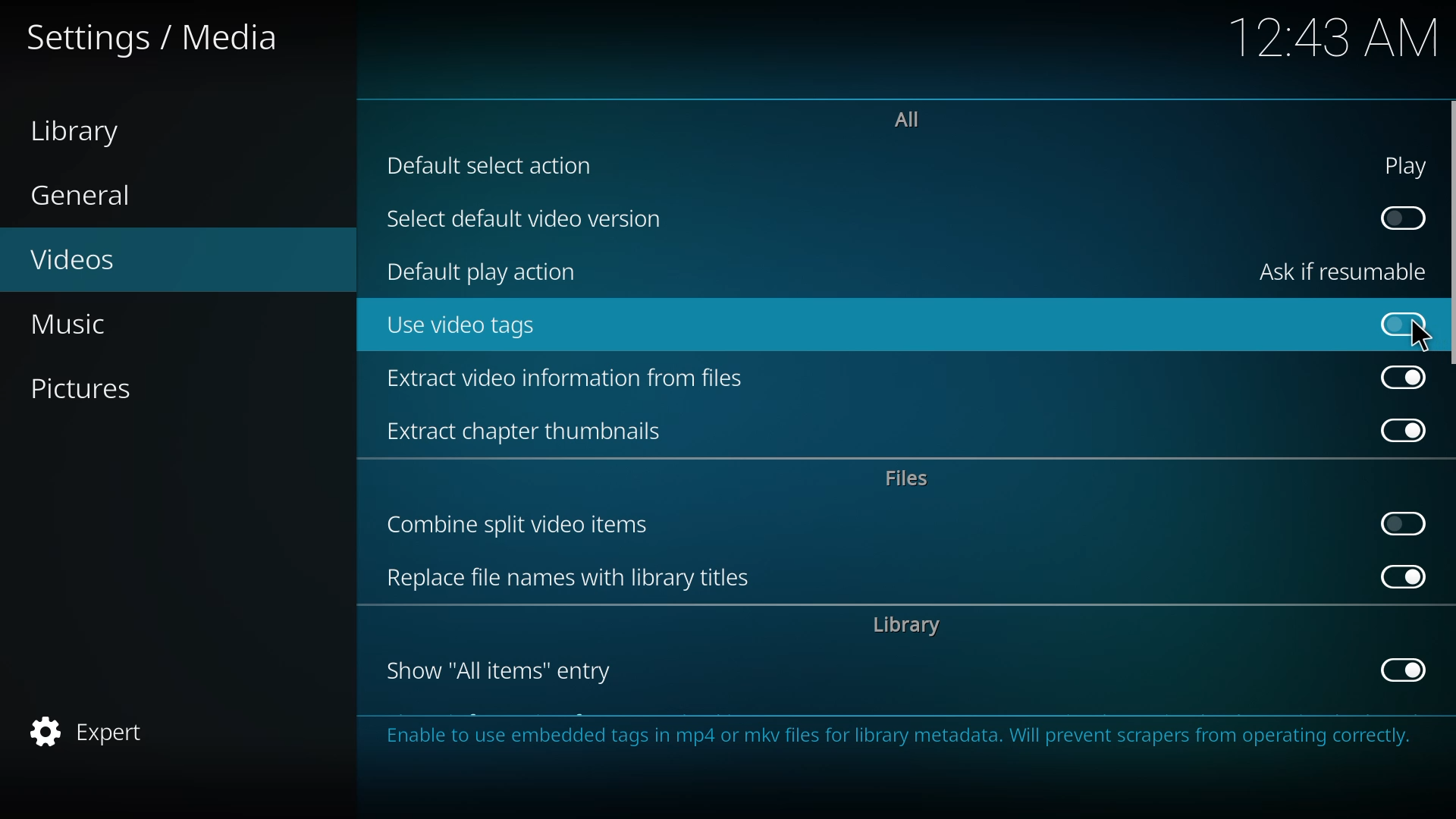 The height and width of the screenshot is (819, 1456). Describe the element at coordinates (524, 527) in the screenshot. I see `combine split video items` at that location.